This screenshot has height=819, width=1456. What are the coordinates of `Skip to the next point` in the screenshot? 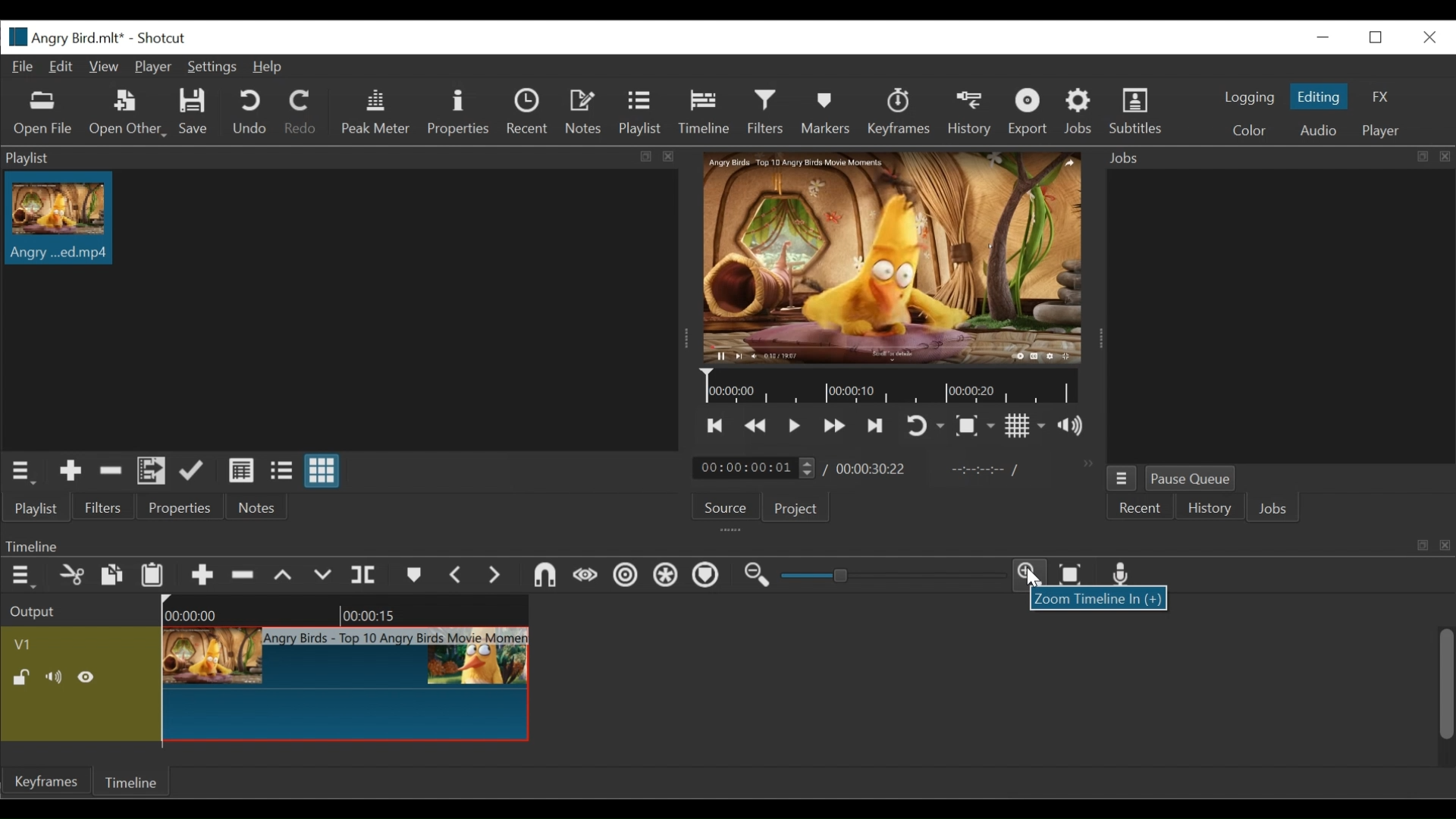 It's located at (877, 427).